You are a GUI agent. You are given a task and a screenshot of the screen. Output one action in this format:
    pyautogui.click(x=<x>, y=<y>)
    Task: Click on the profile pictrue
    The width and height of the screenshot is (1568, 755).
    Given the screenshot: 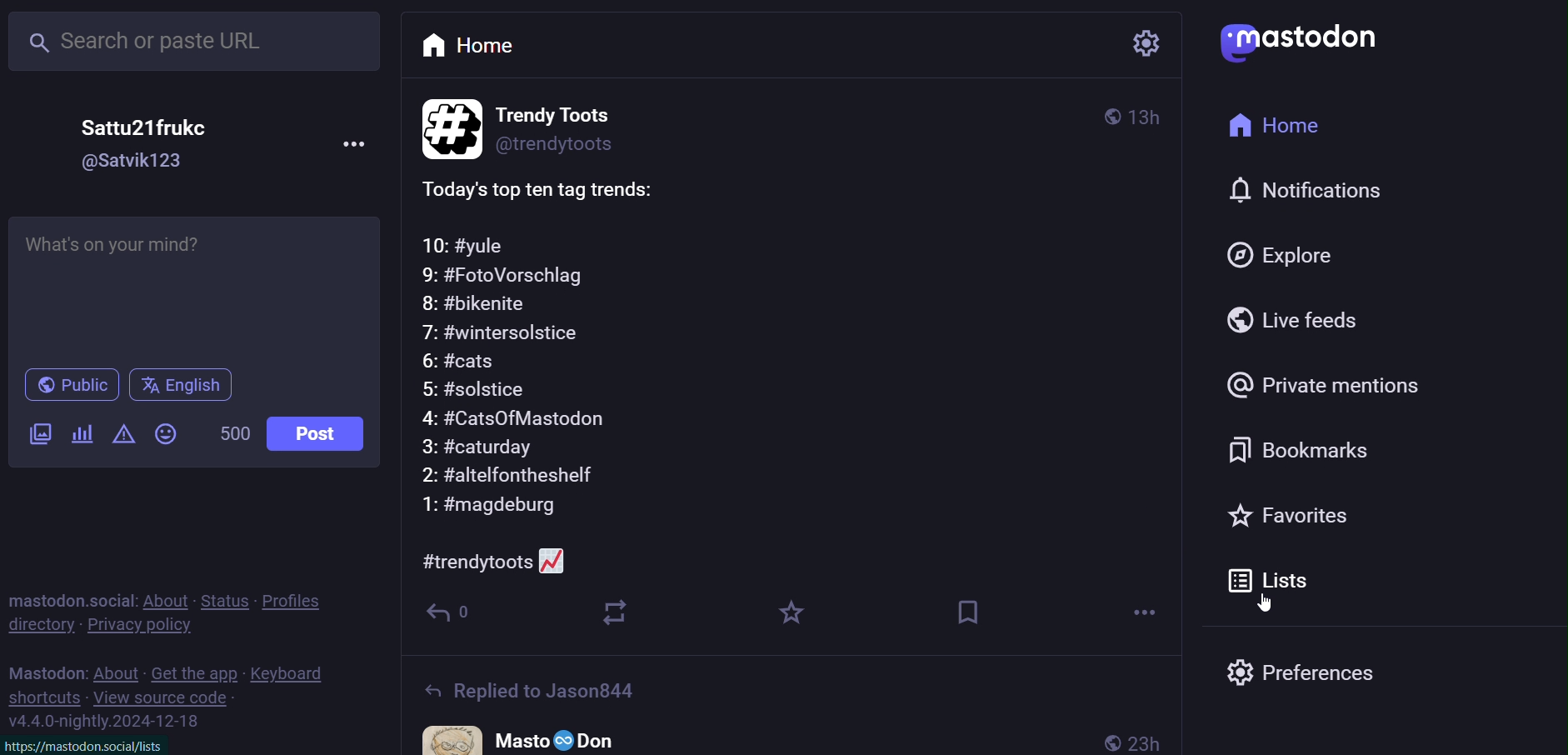 What is the action you would take?
    pyautogui.click(x=452, y=736)
    